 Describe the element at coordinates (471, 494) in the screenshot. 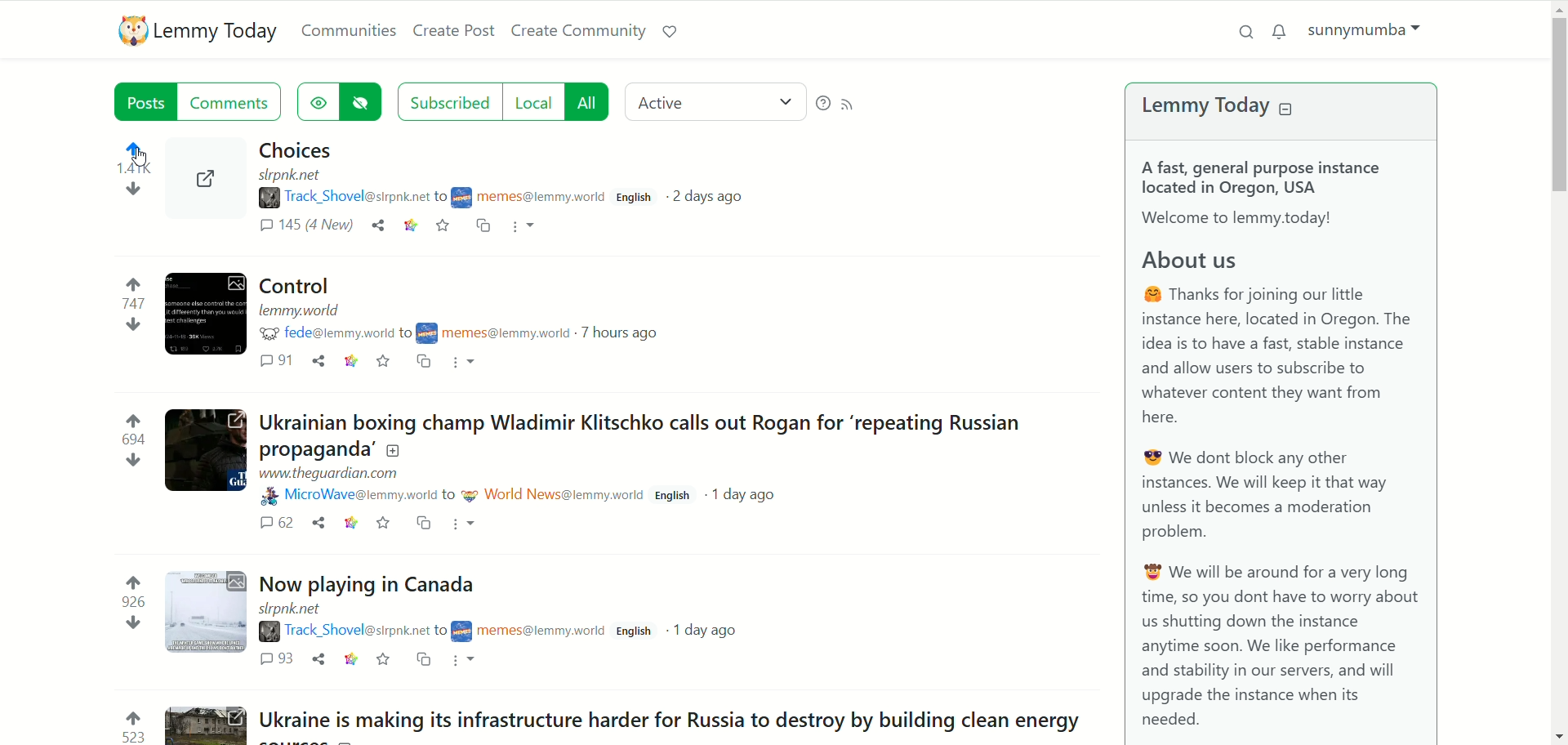

I see `poster image` at that location.